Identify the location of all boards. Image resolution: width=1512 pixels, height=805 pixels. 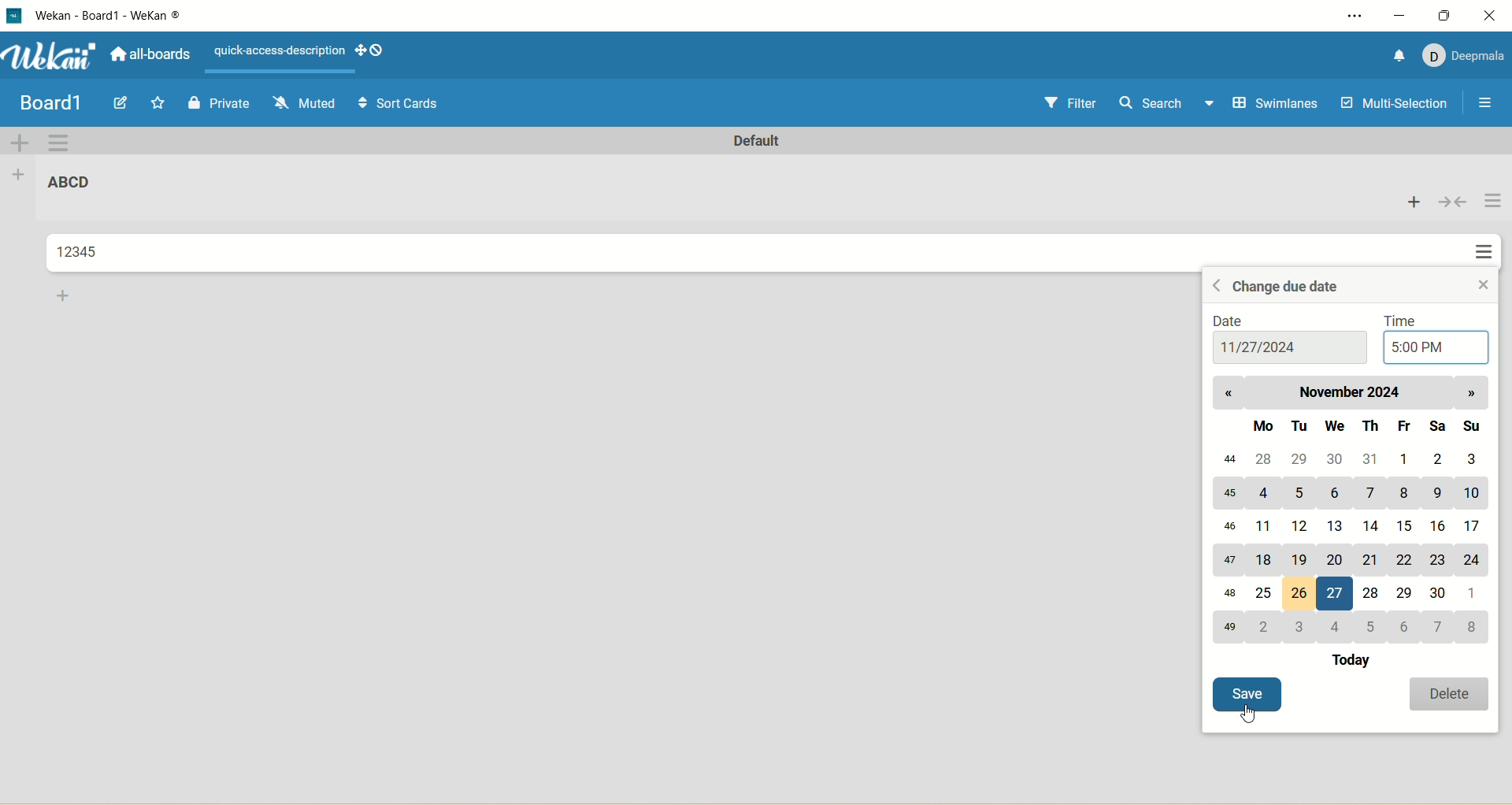
(150, 52).